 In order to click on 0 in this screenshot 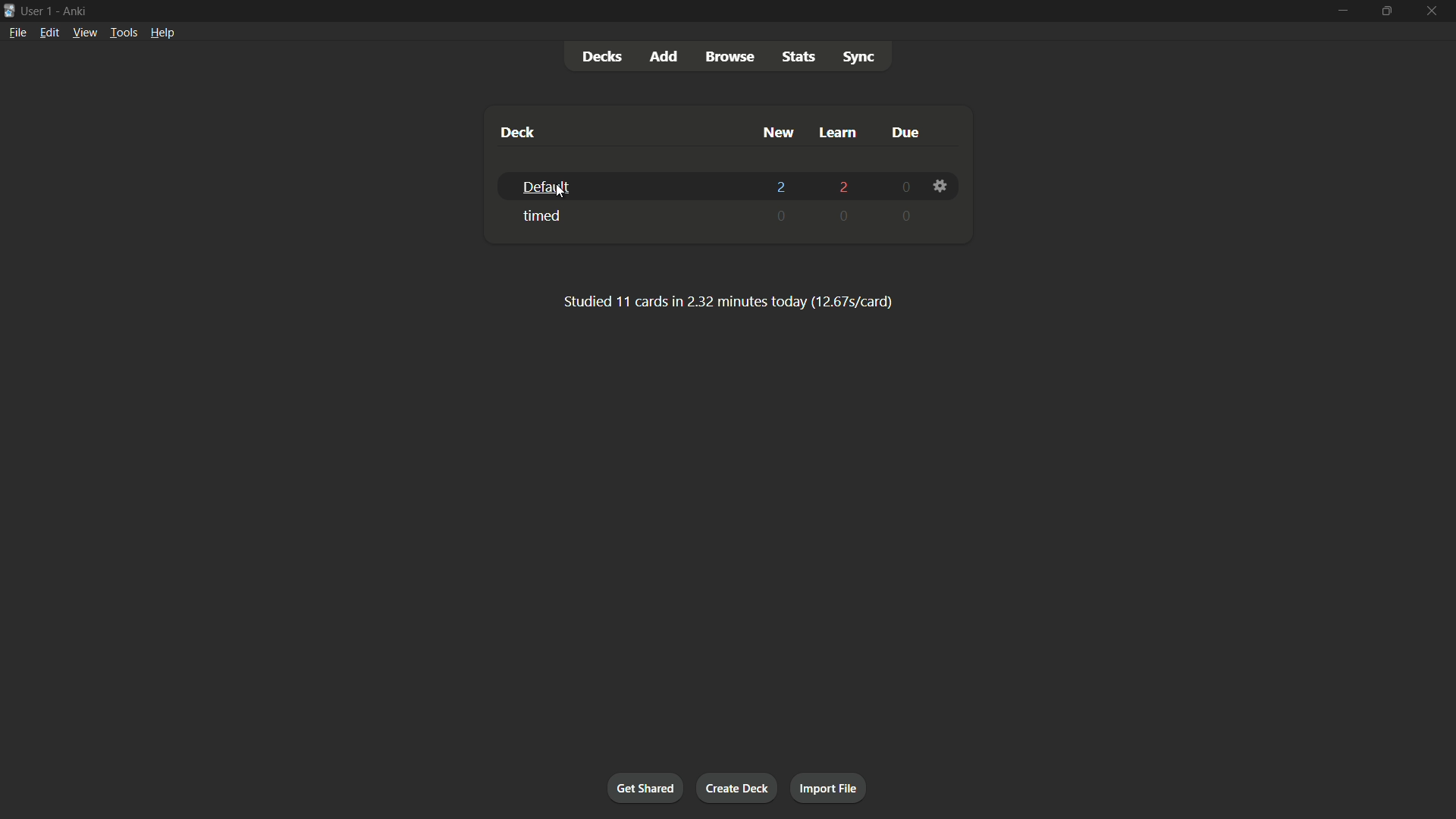, I will do `click(903, 187)`.